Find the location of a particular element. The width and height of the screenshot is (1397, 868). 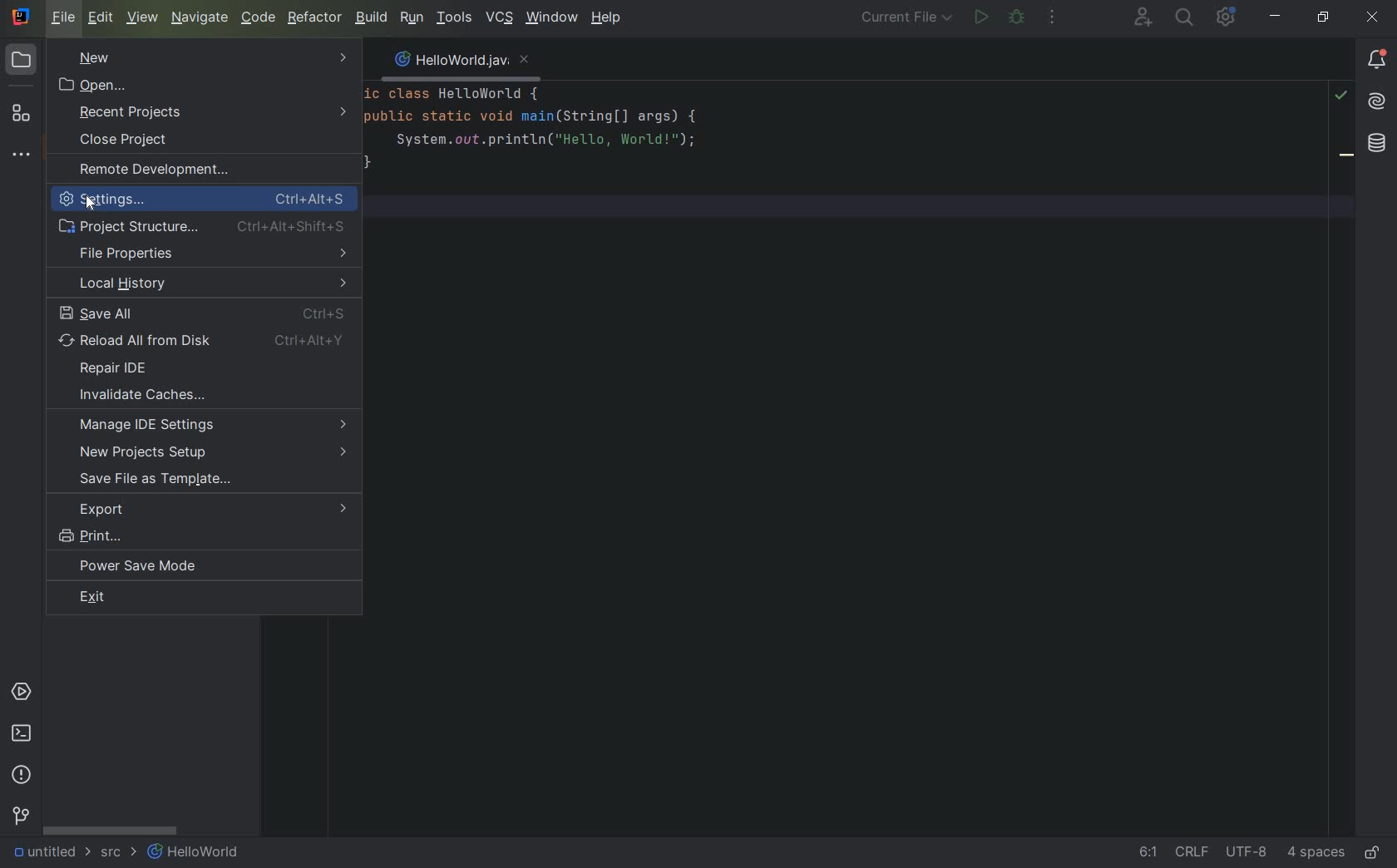

search everywhere is located at coordinates (1185, 16).